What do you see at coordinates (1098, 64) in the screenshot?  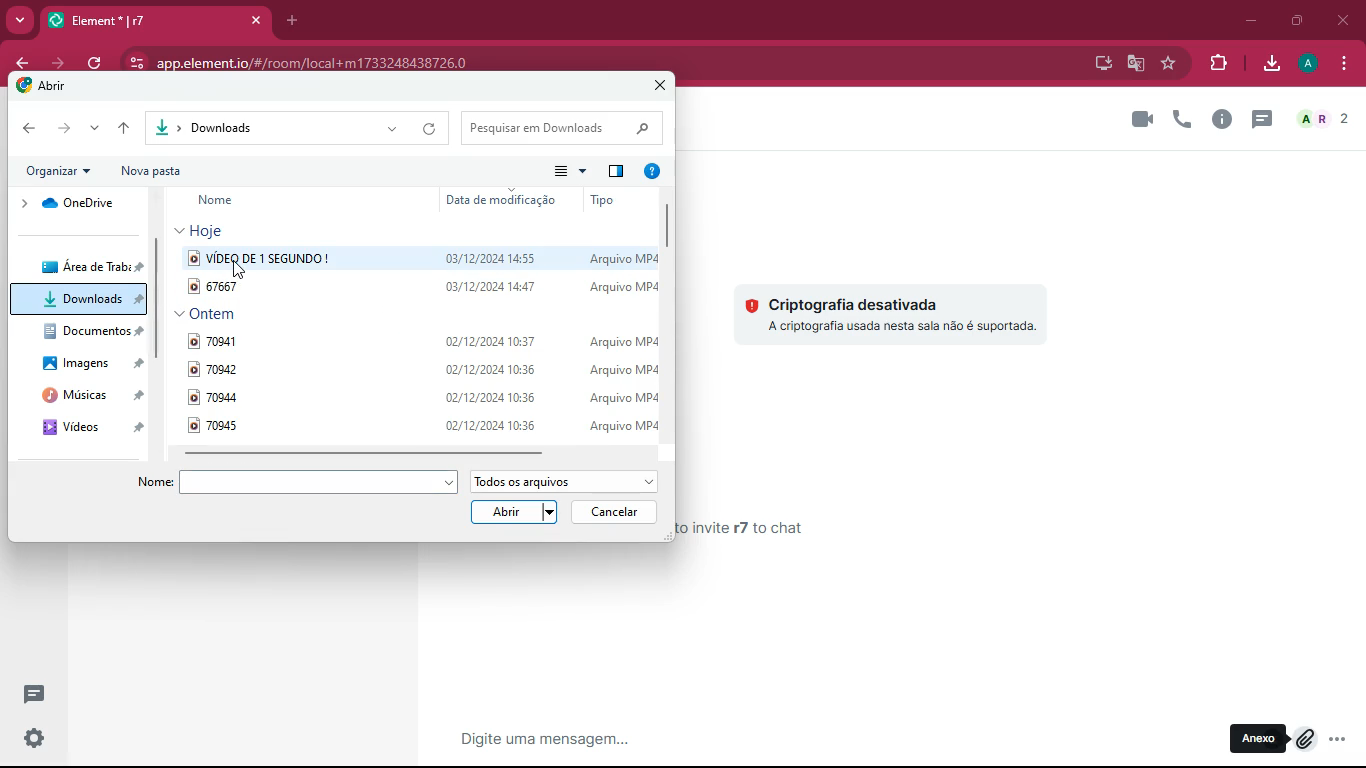 I see `desktop` at bounding box center [1098, 64].